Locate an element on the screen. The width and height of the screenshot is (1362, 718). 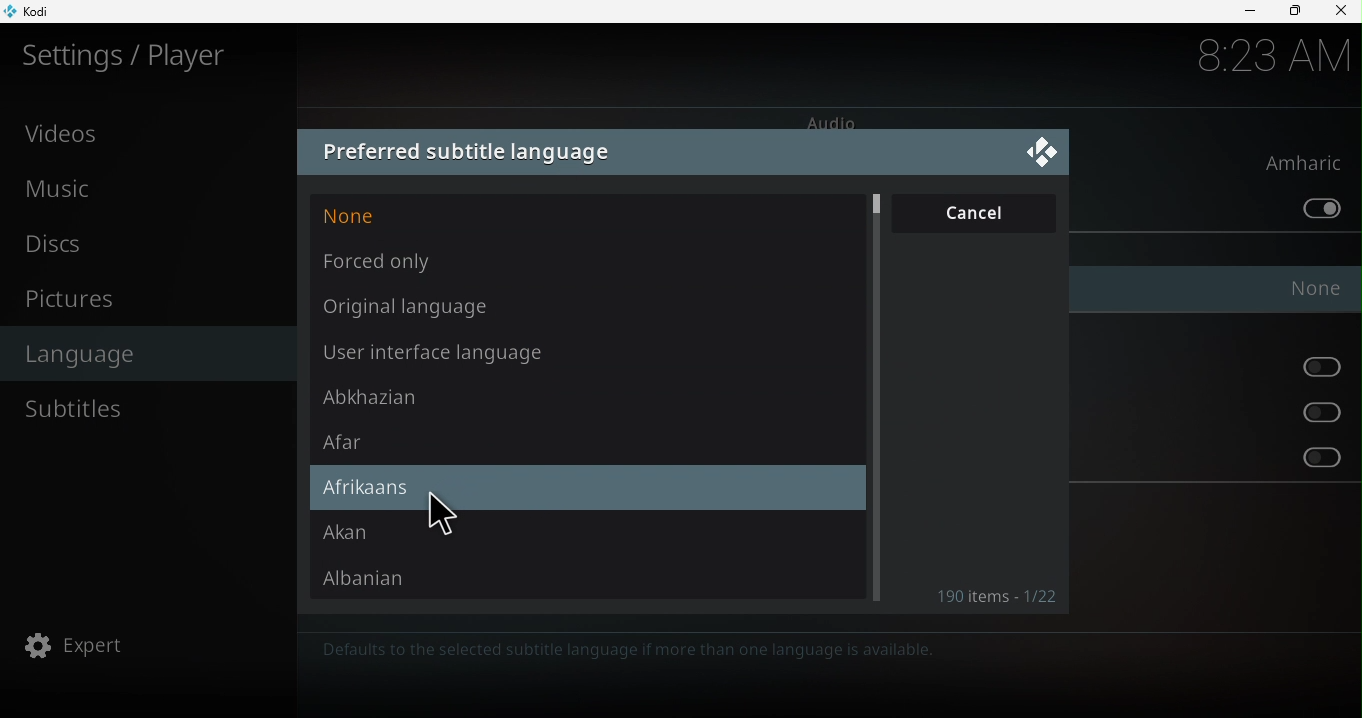
Settings/plater is located at coordinates (127, 55).